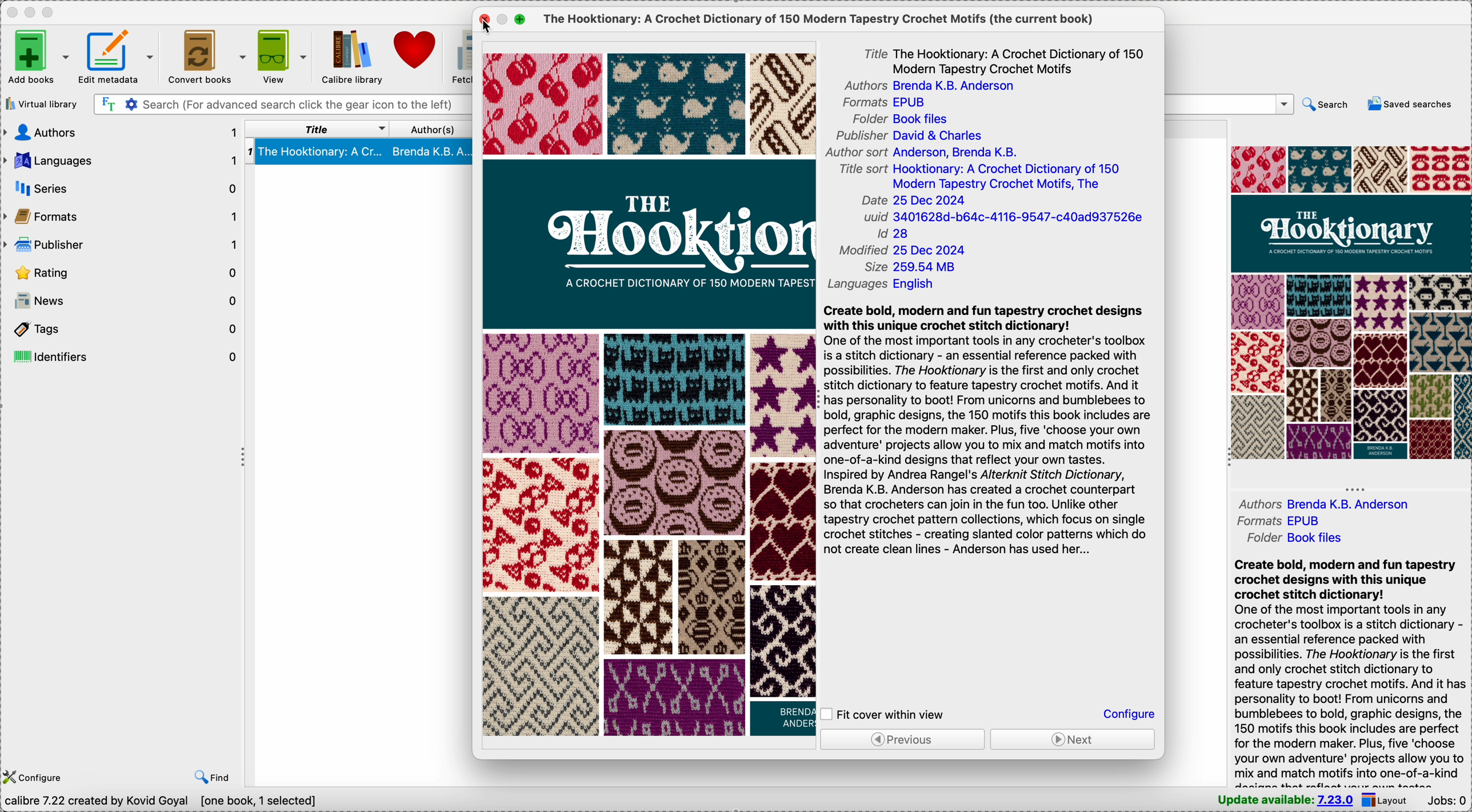  What do you see at coordinates (993, 430) in the screenshot?
I see `synopsis` at bounding box center [993, 430].